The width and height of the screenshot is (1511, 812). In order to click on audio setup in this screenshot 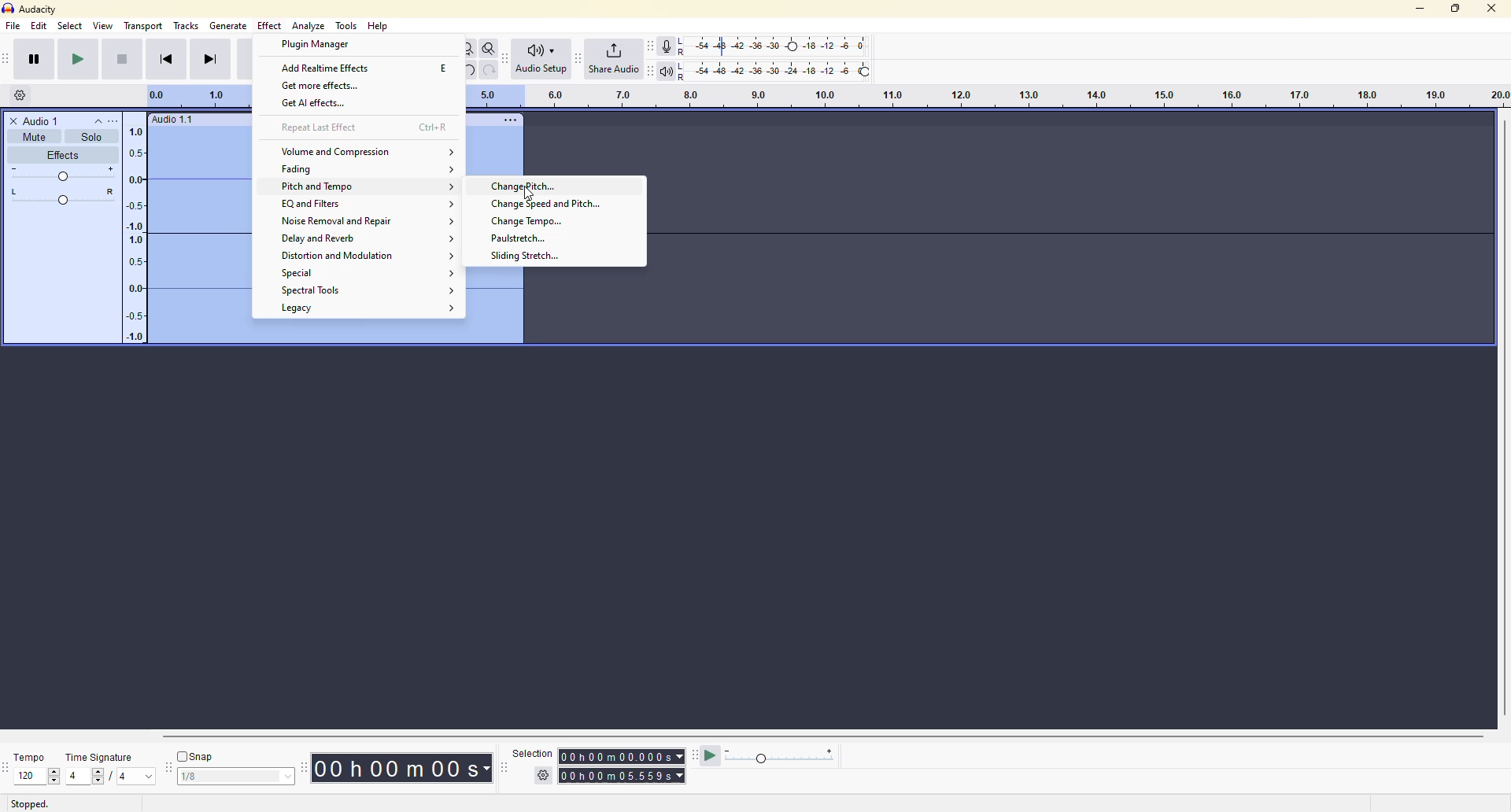, I will do `click(541, 58)`.